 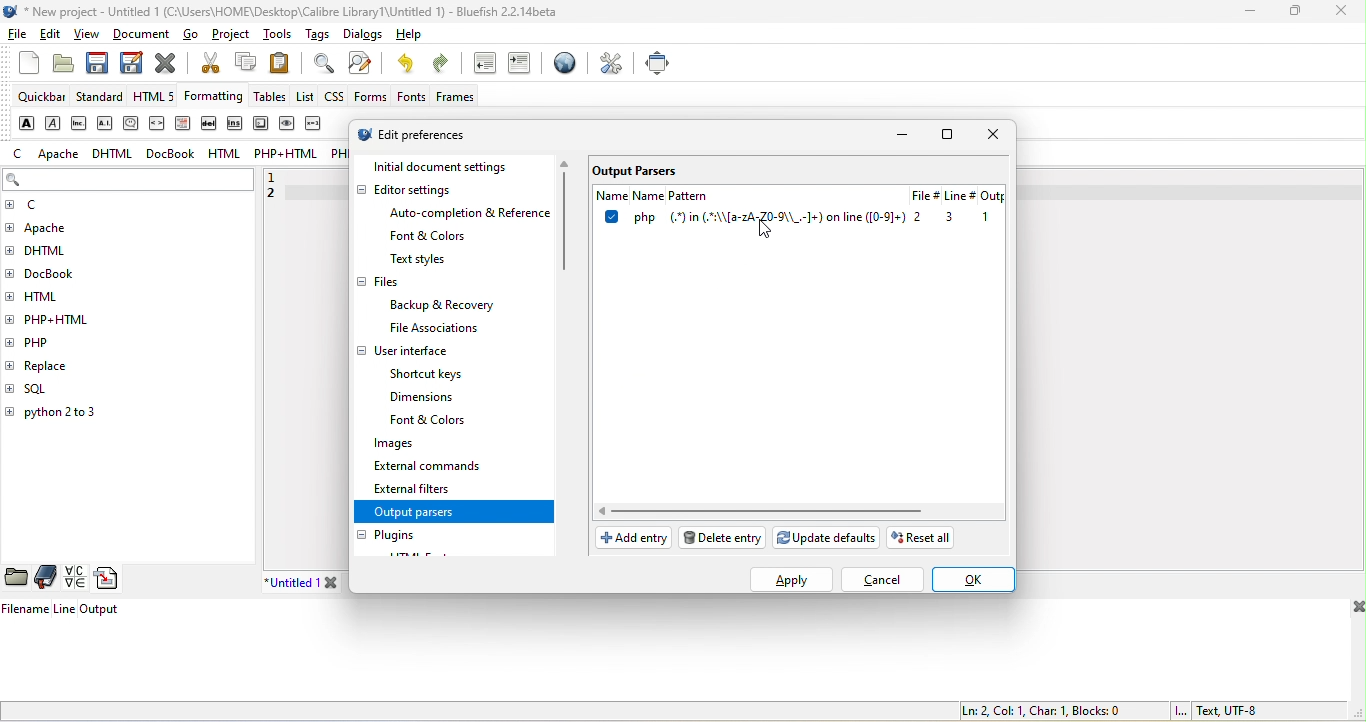 I want to click on 1, so click(x=281, y=176).